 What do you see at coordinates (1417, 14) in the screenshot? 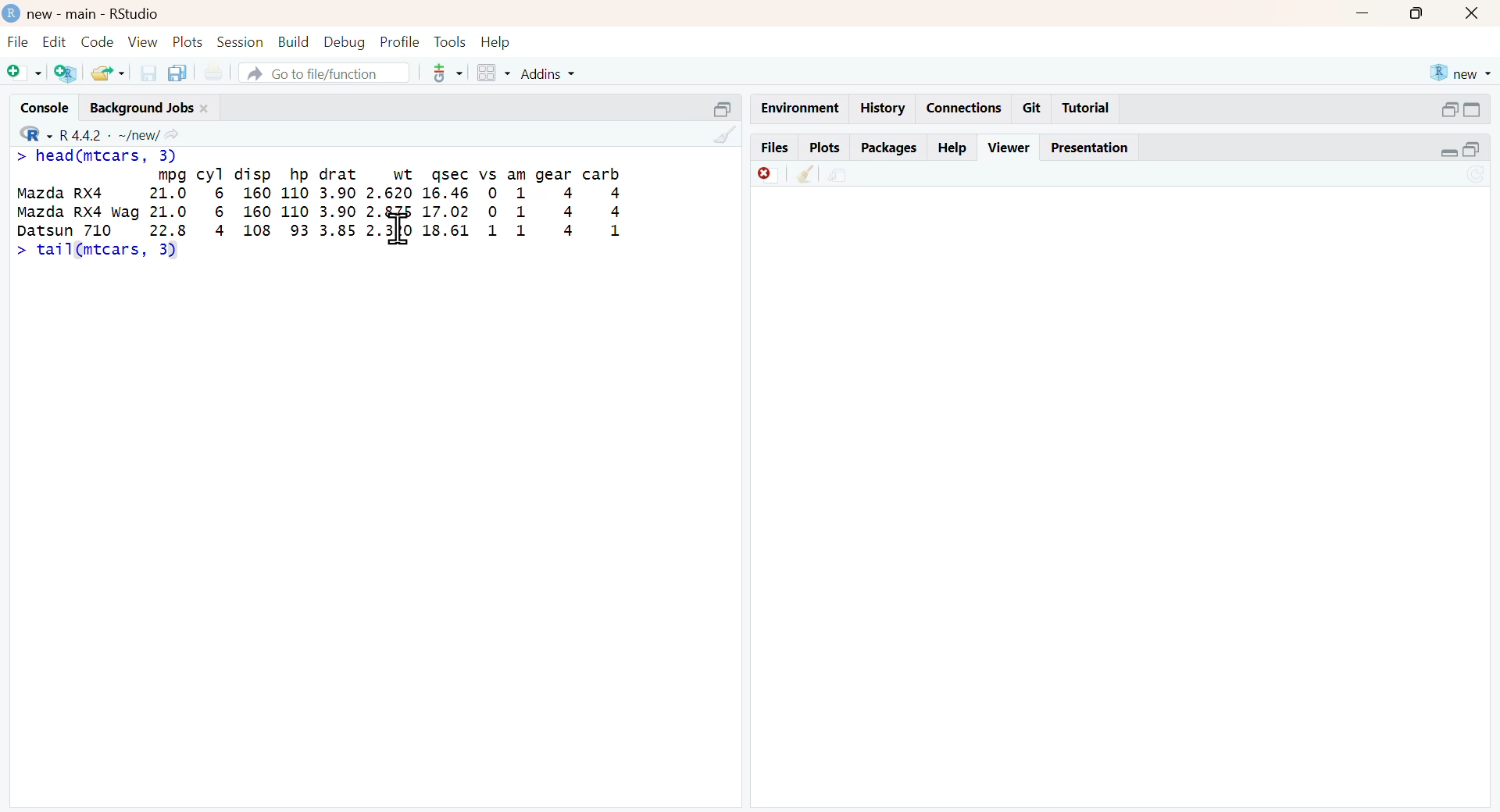
I see `maximize` at bounding box center [1417, 14].